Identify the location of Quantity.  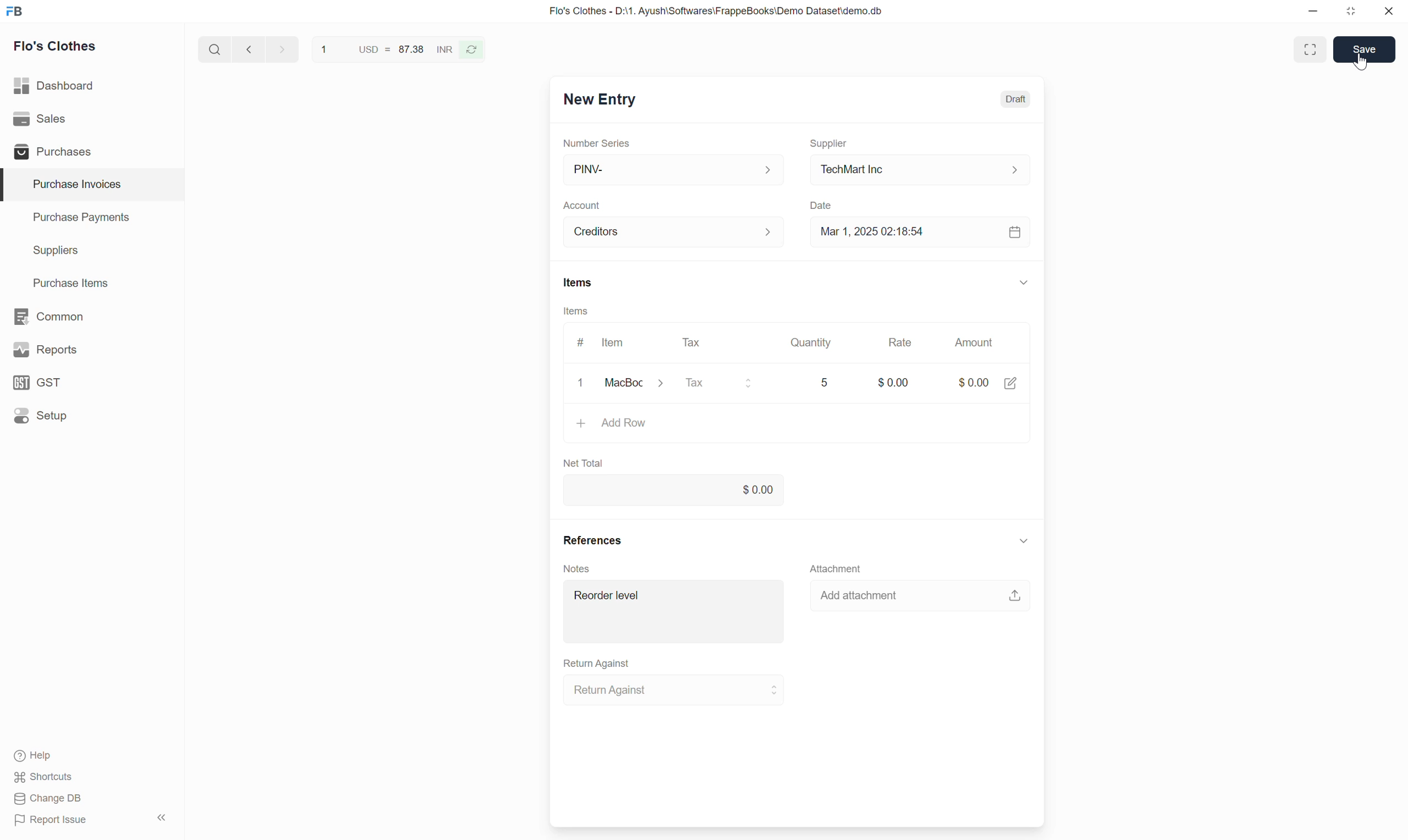
(809, 342).